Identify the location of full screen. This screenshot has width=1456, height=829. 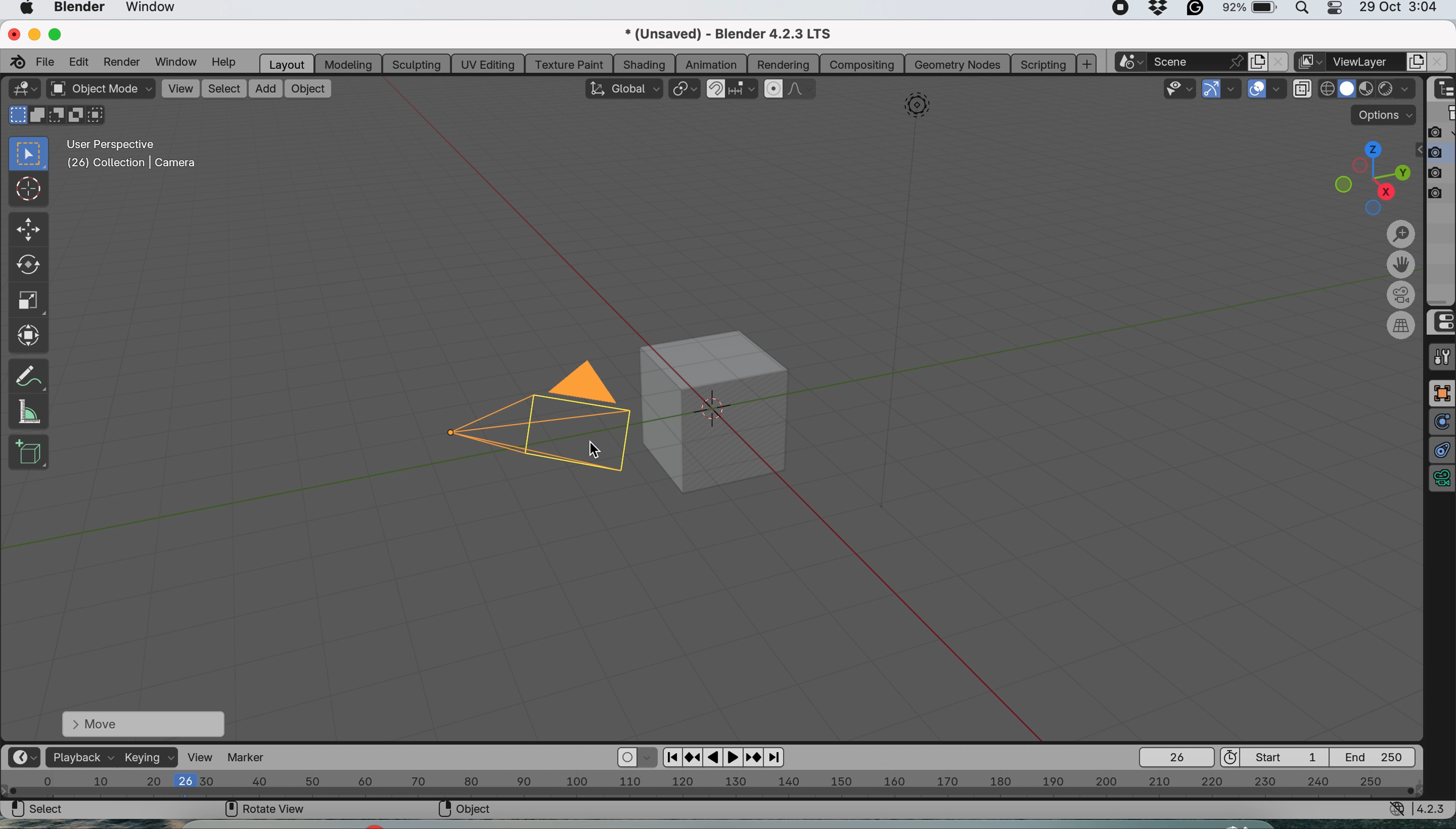
(1441, 393).